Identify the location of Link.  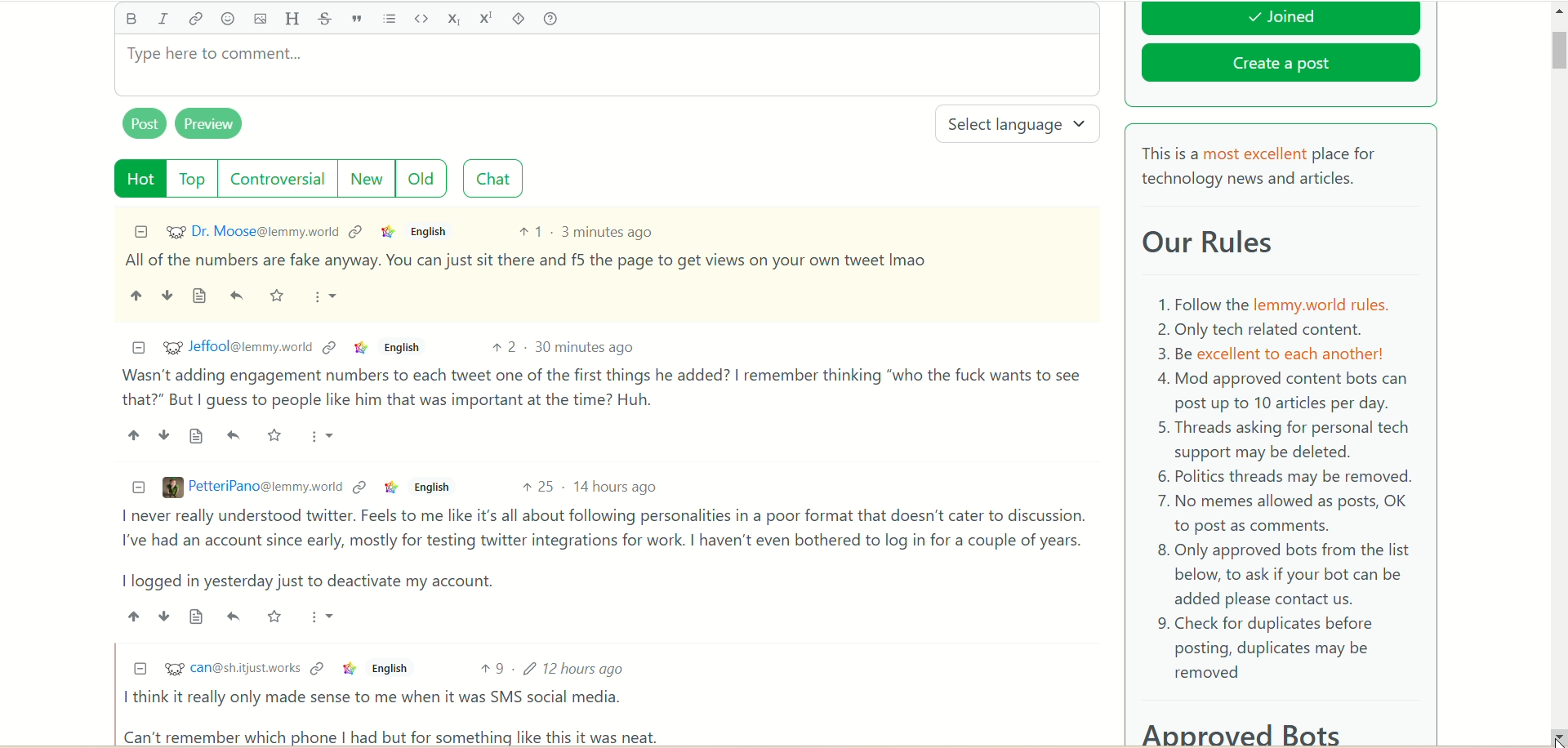
(389, 231).